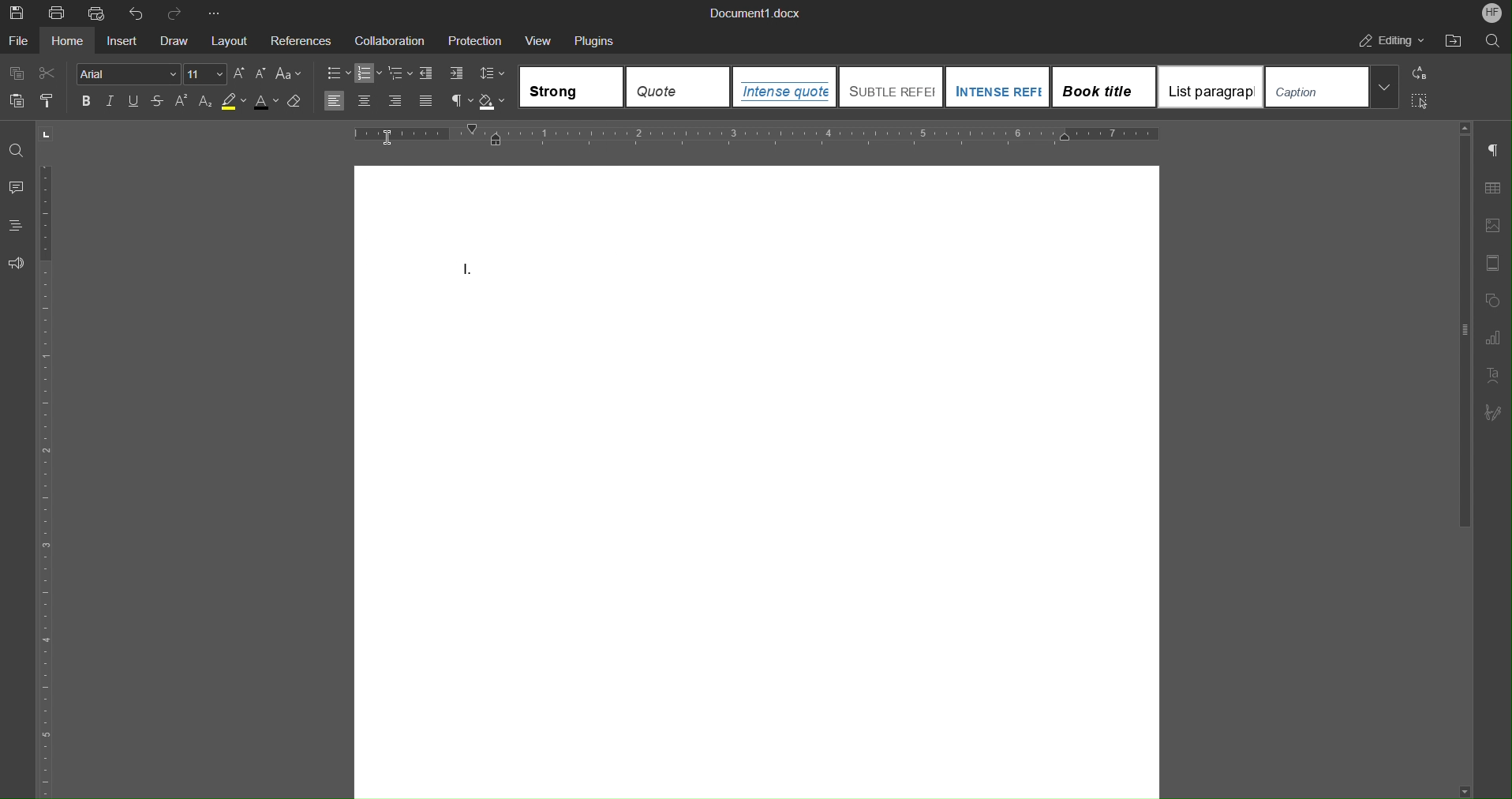 The height and width of the screenshot is (799, 1512). Describe the element at coordinates (1491, 264) in the screenshot. I see `Header/Footer` at that location.